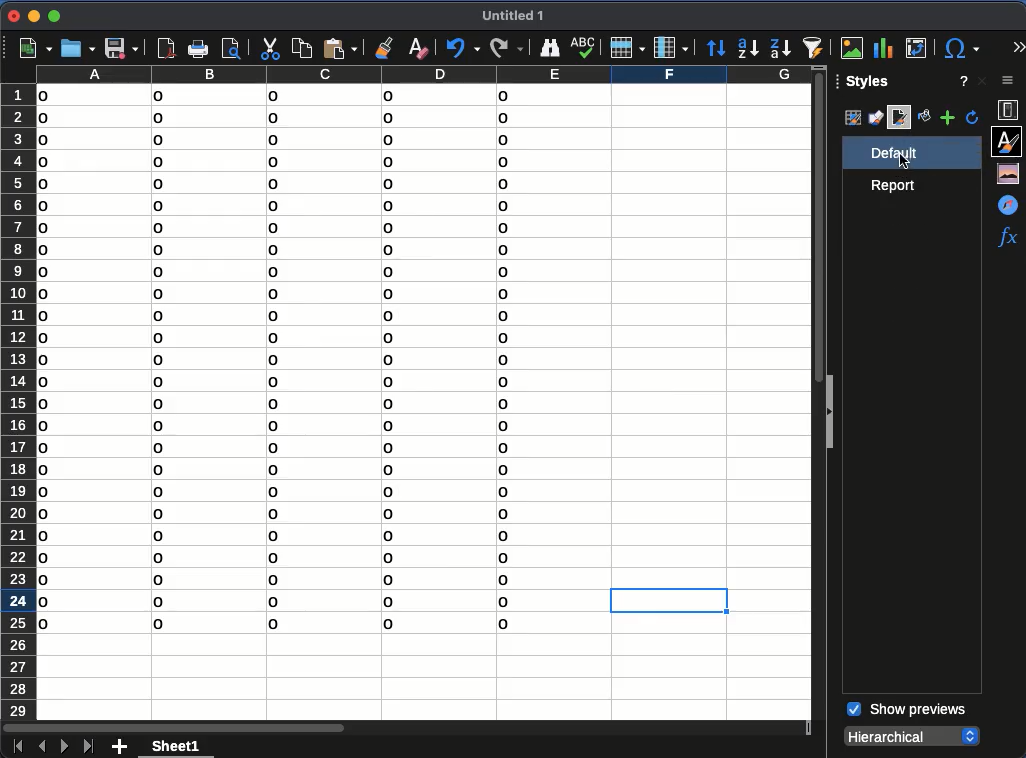 The image size is (1026, 758). Describe the element at coordinates (812, 227) in the screenshot. I see `vertical scroll bar` at that location.